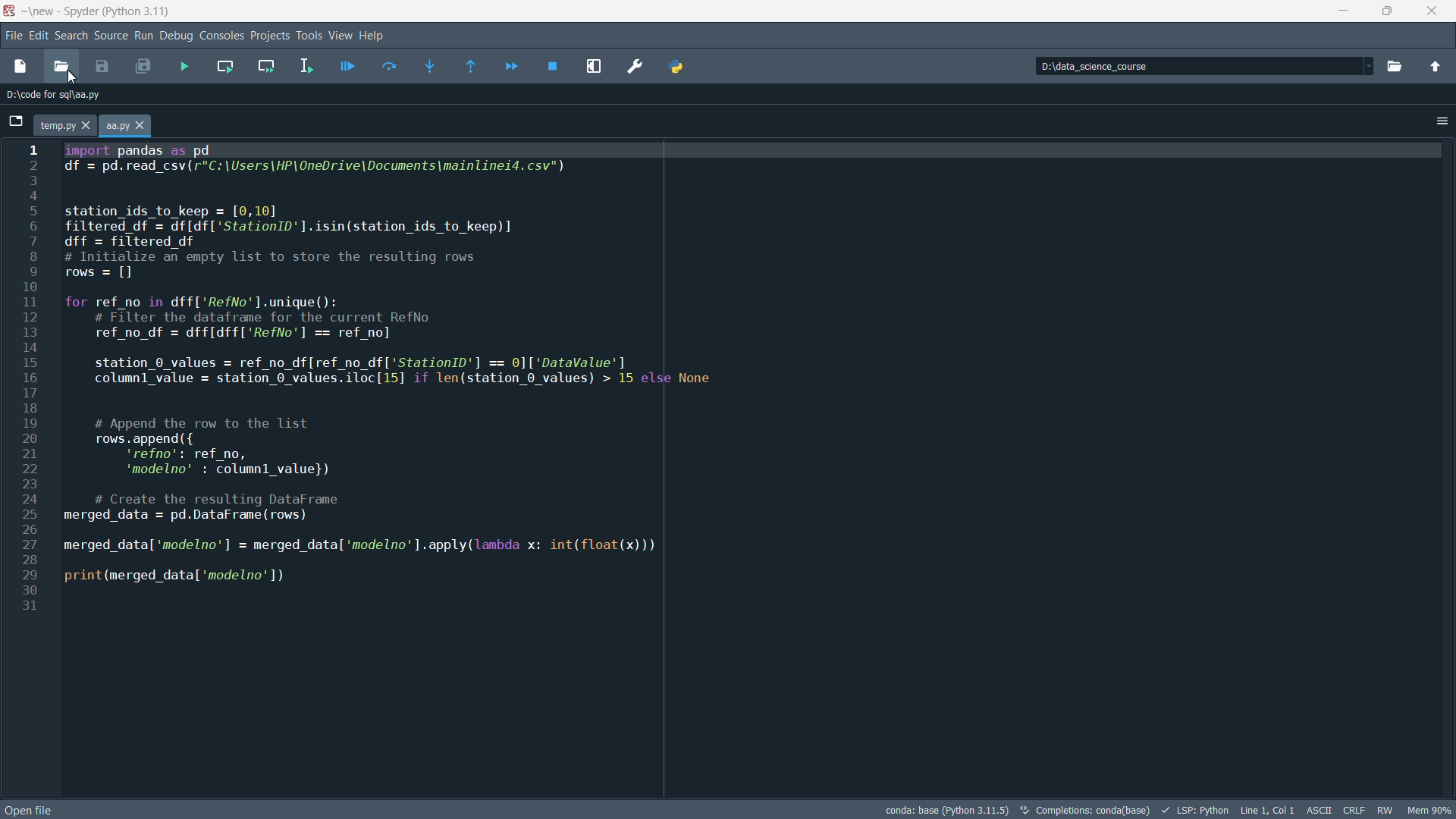  Describe the element at coordinates (1385, 811) in the screenshot. I see `rw` at that location.